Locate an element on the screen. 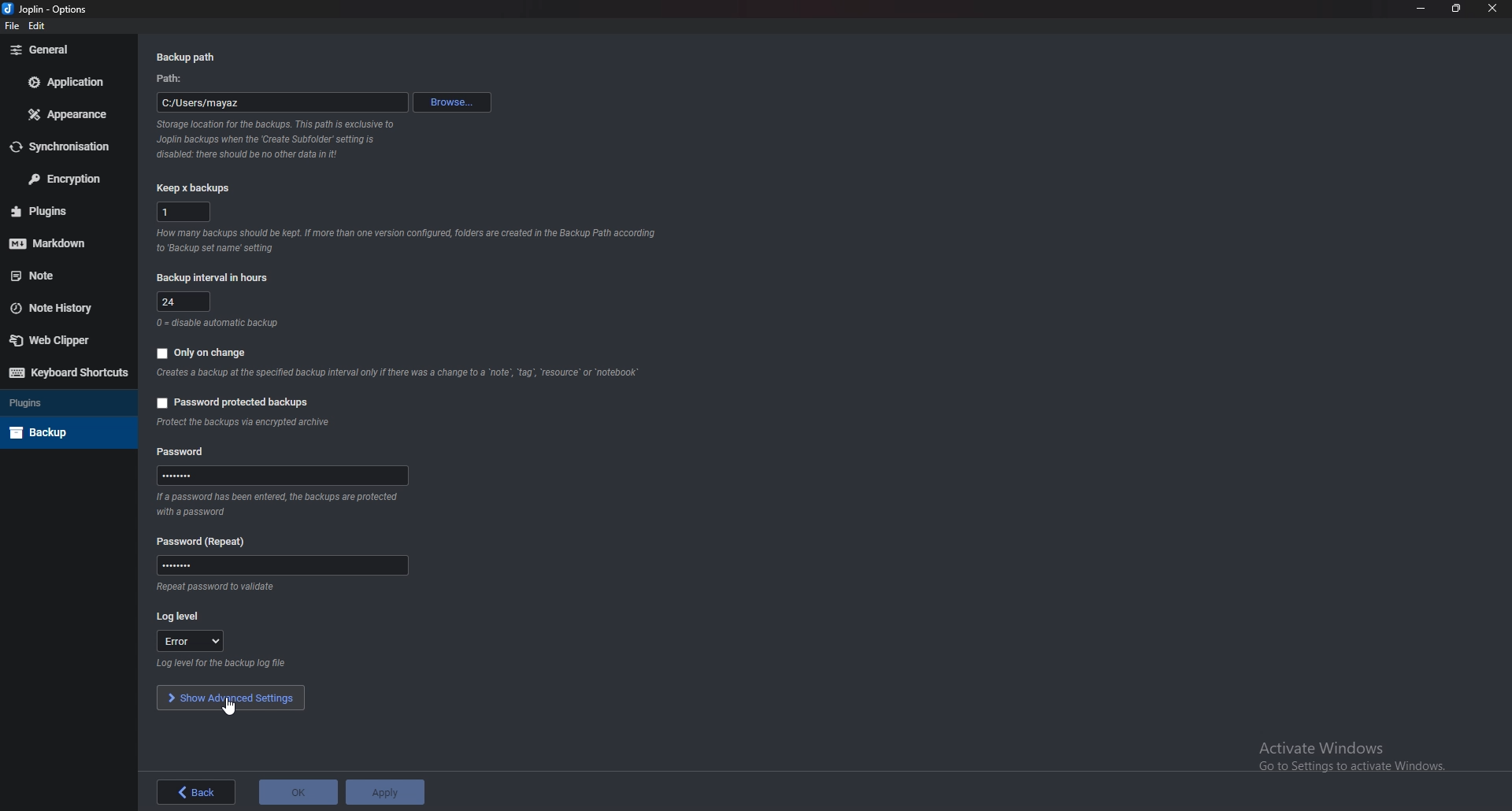 This screenshot has width=1512, height=811. General is located at coordinates (65, 50).